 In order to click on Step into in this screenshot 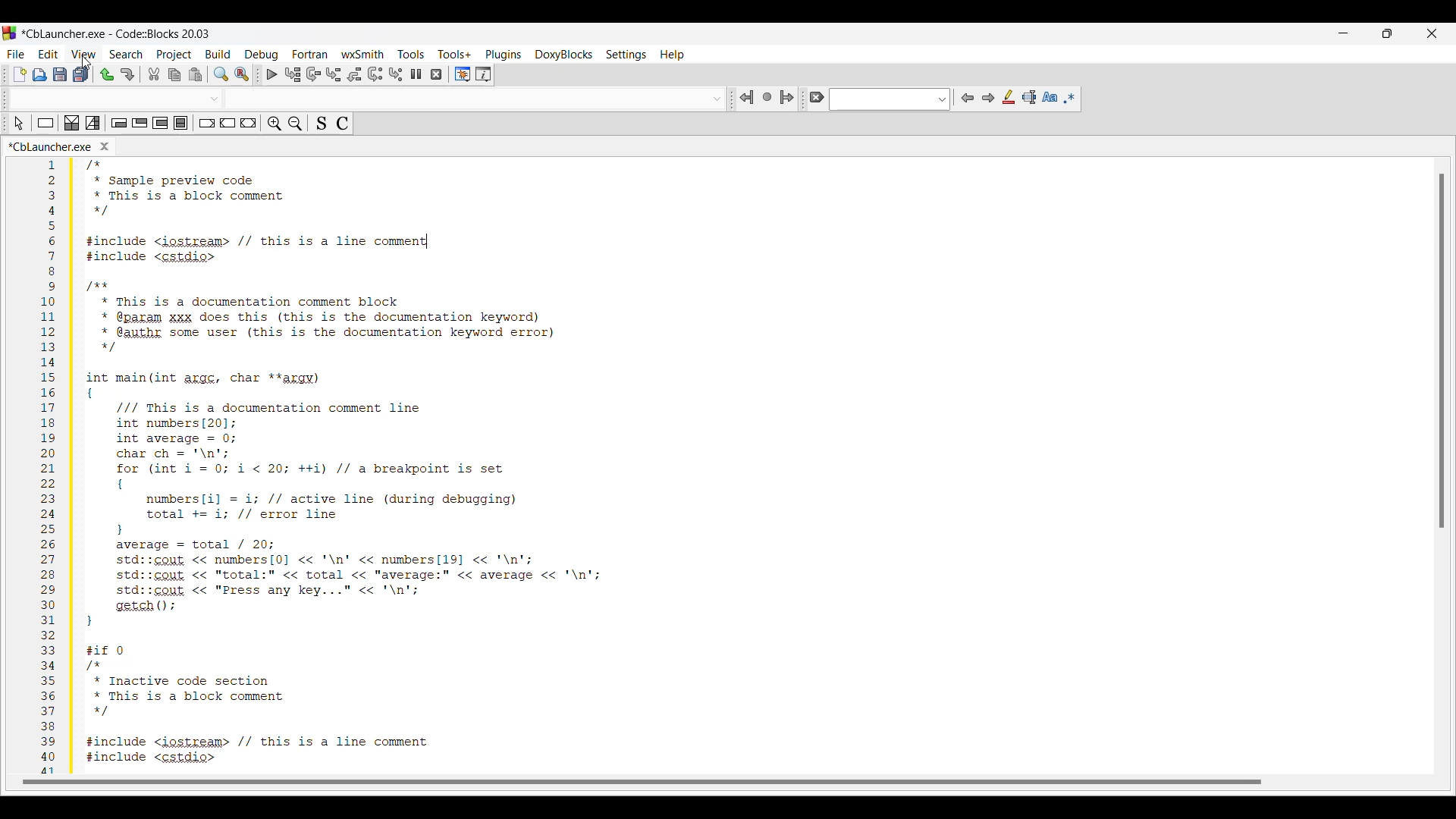, I will do `click(334, 74)`.